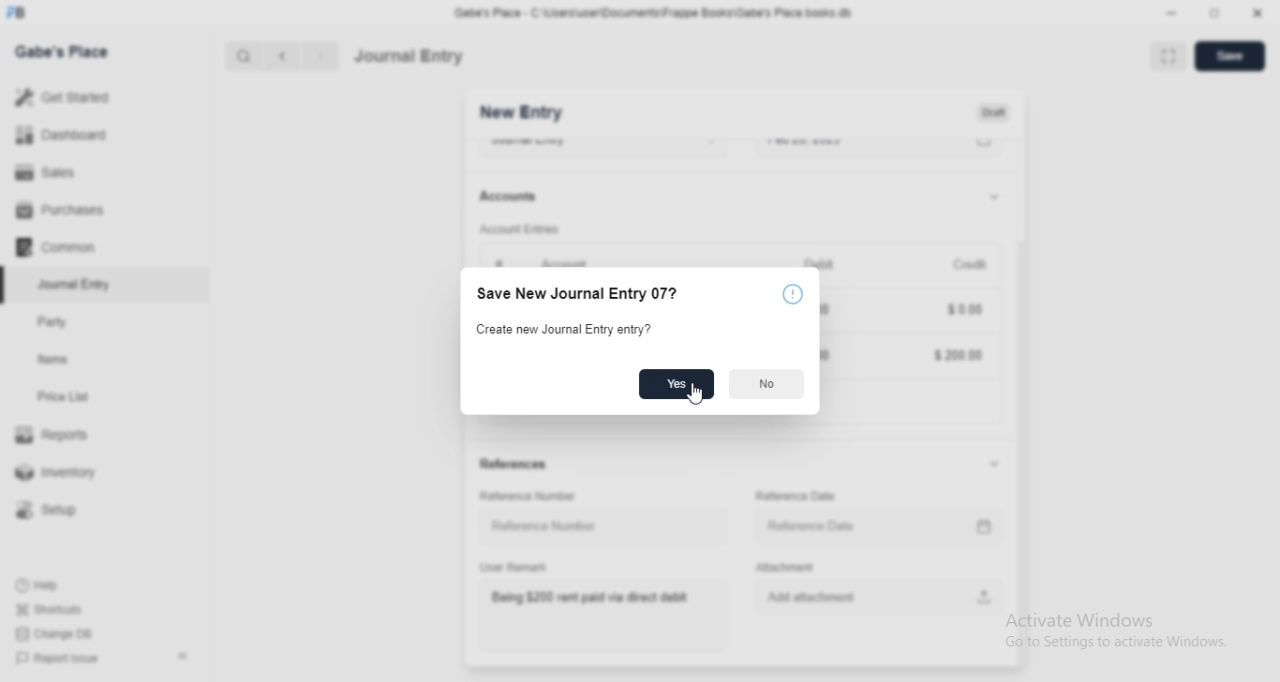 The width and height of the screenshot is (1280, 682). What do you see at coordinates (672, 385) in the screenshot?
I see `yes` at bounding box center [672, 385].